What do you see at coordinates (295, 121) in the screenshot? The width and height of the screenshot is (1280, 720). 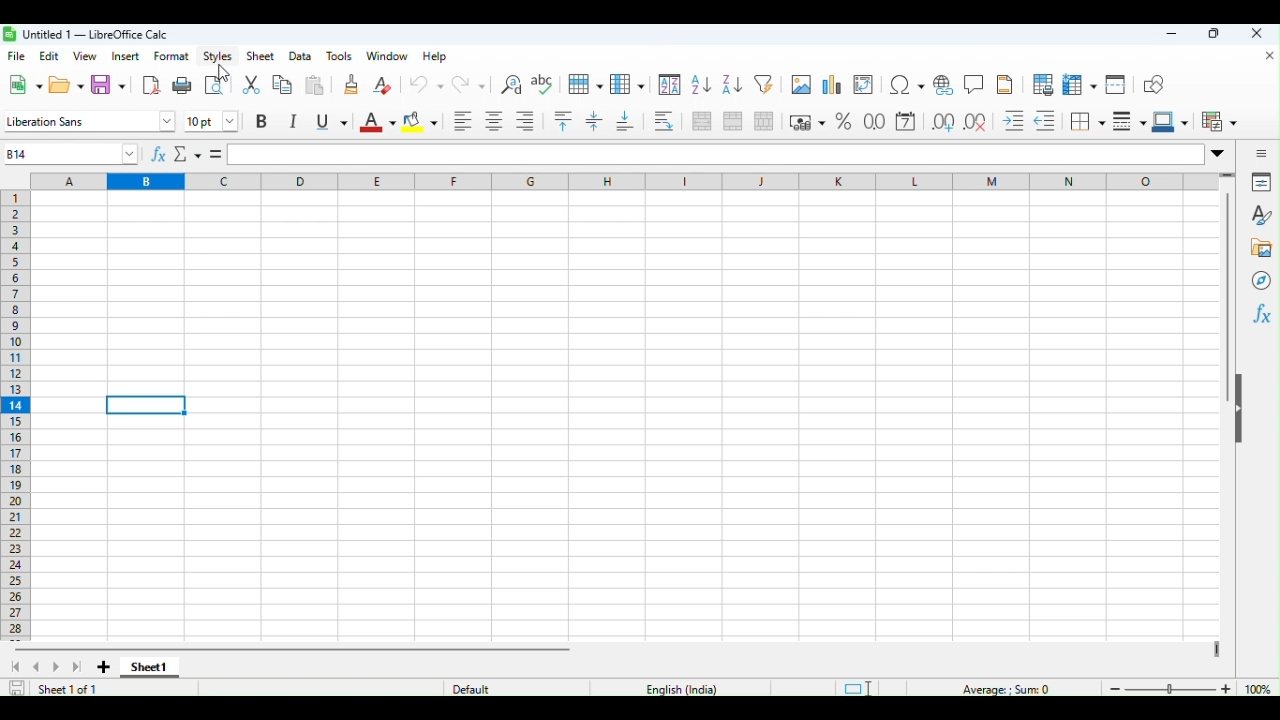 I see `I` at bounding box center [295, 121].